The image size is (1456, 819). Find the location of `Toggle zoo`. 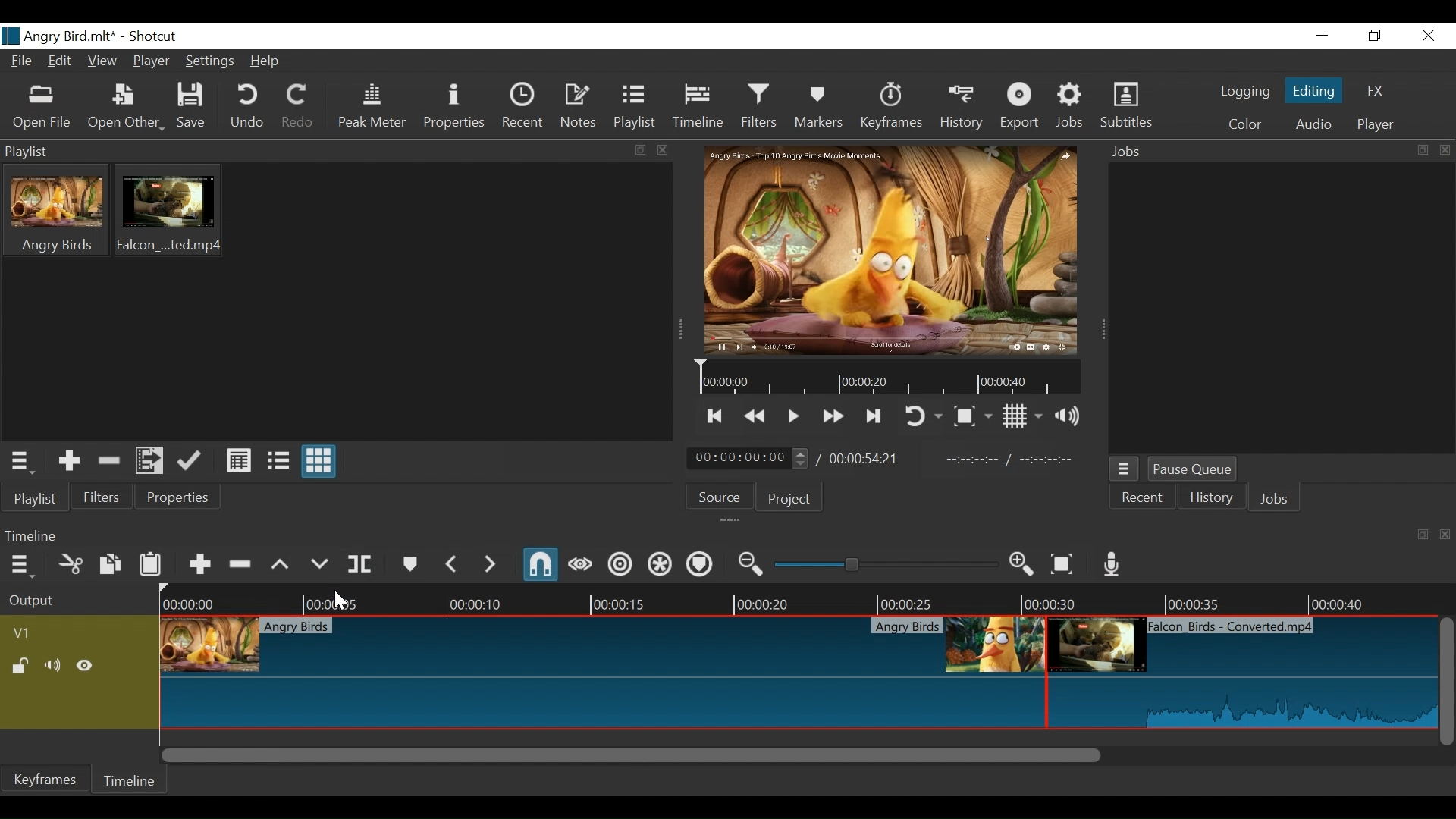

Toggle zoo is located at coordinates (973, 416).